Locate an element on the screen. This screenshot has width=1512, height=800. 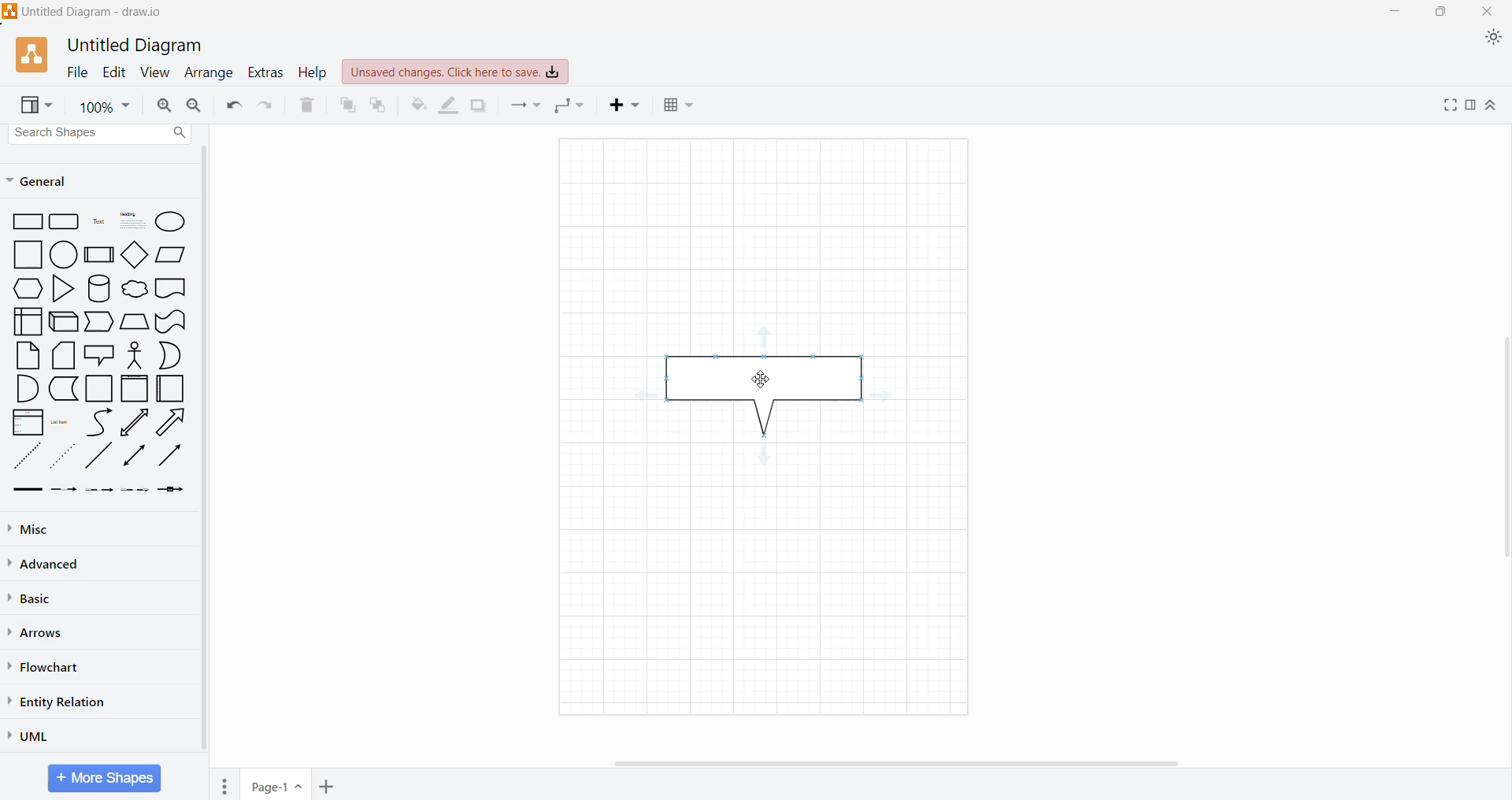
Curved Line is located at coordinates (98, 421).